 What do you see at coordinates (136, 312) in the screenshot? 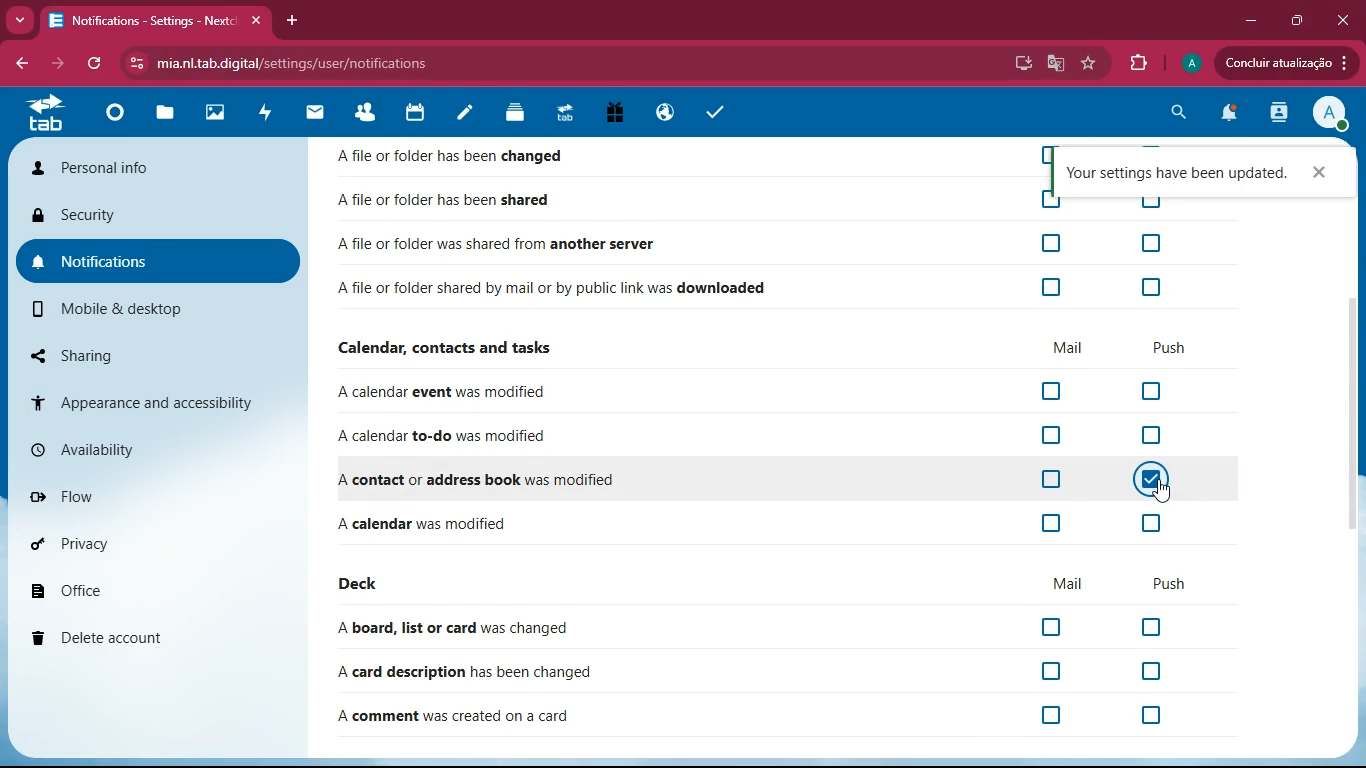
I see `mobile & desktop` at bounding box center [136, 312].